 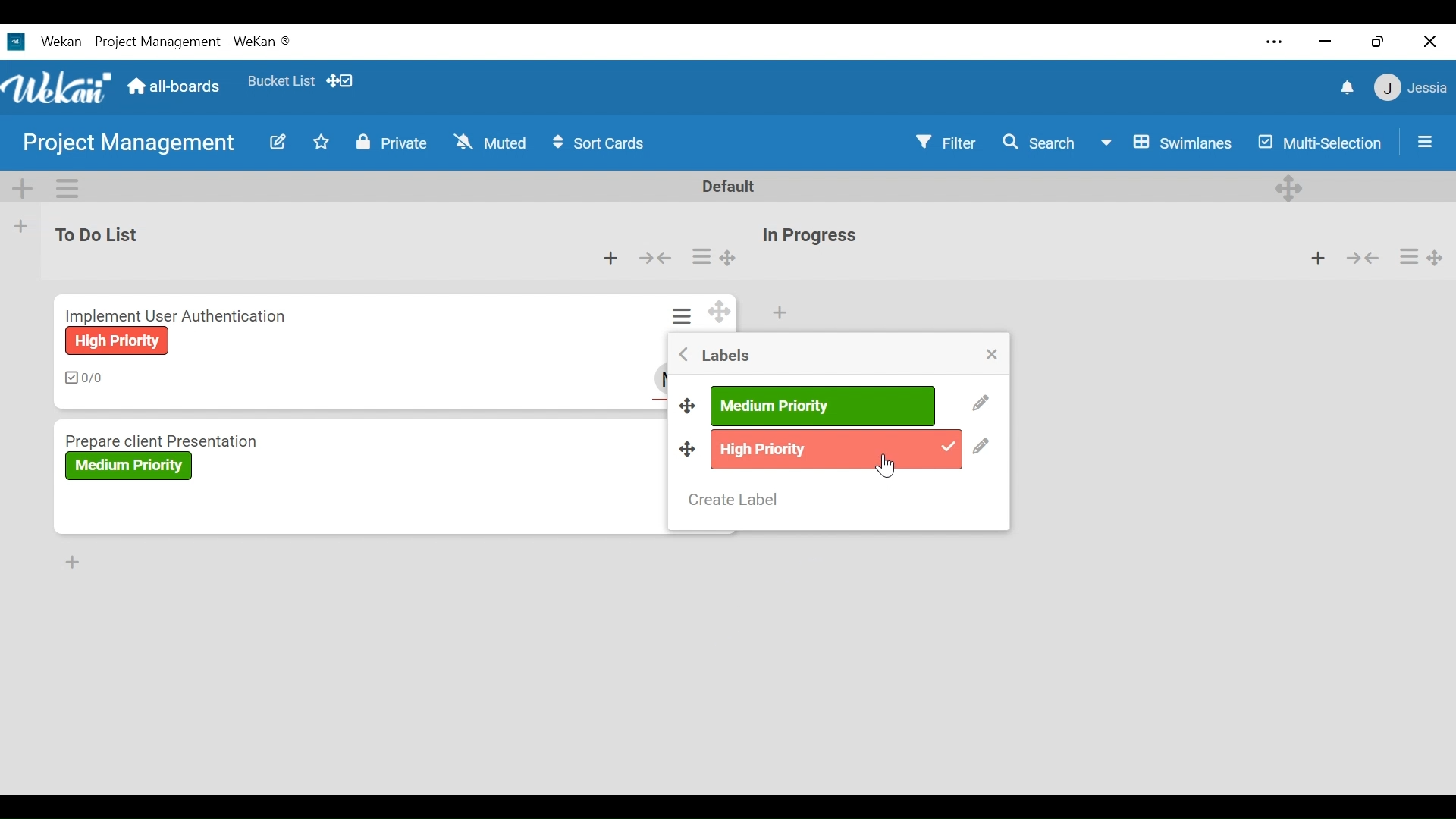 What do you see at coordinates (167, 42) in the screenshot?
I see `Text` at bounding box center [167, 42].